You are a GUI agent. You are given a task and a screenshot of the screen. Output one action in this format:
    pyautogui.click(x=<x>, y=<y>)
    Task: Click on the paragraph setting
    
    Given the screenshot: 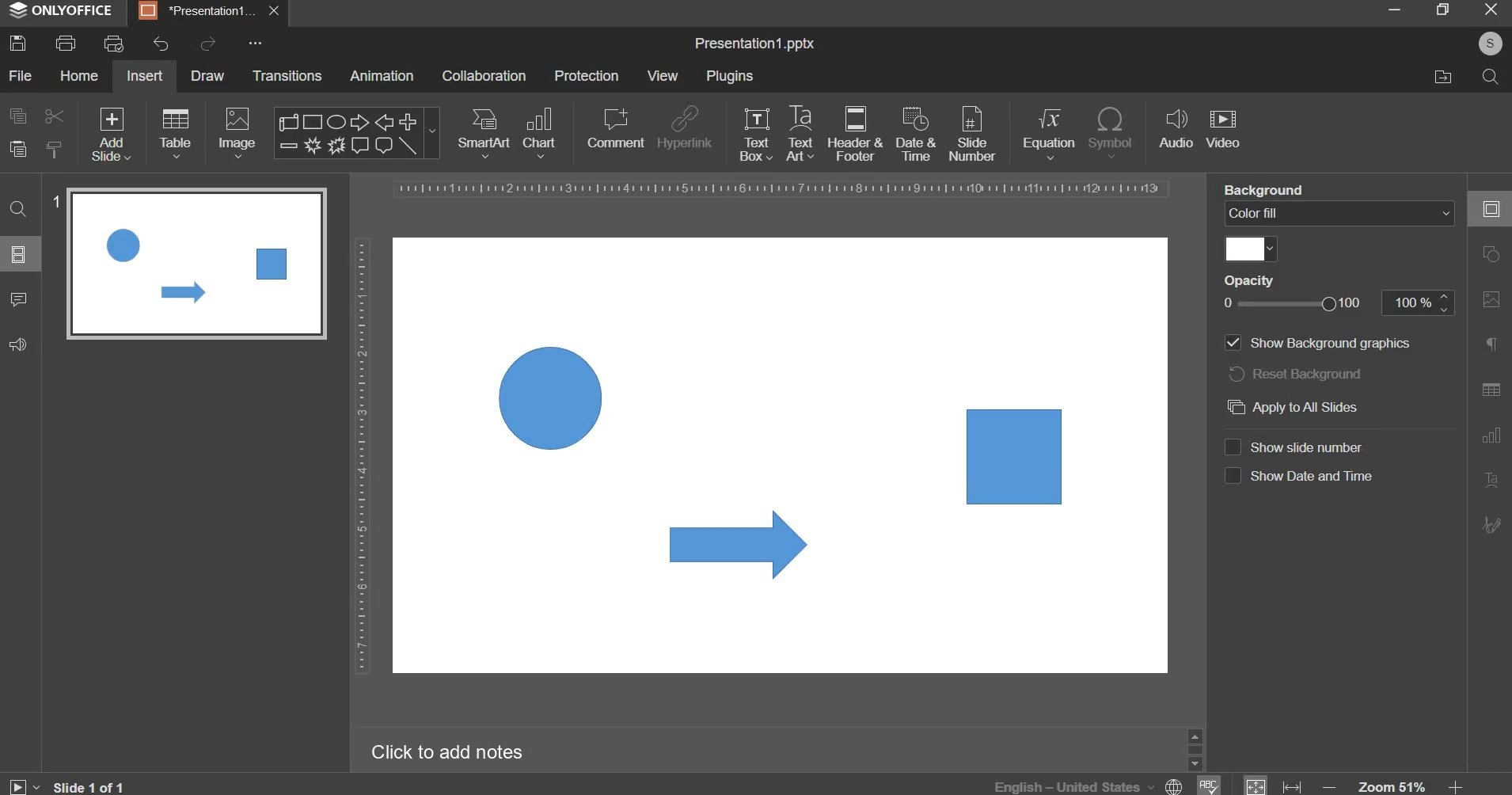 What is the action you would take?
    pyautogui.click(x=1492, y=346)
    